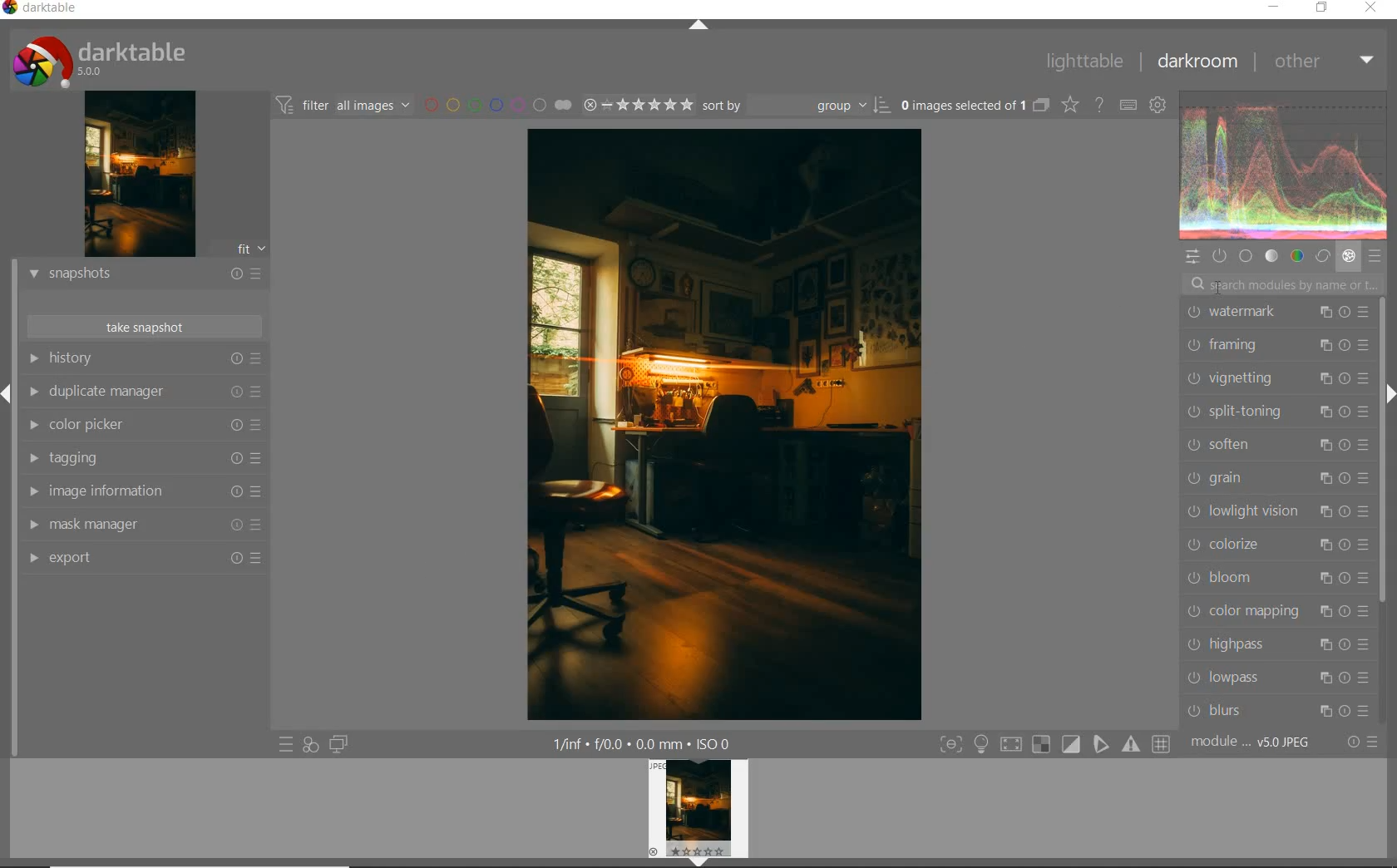  I want to click on grain, so click(1277, 478).